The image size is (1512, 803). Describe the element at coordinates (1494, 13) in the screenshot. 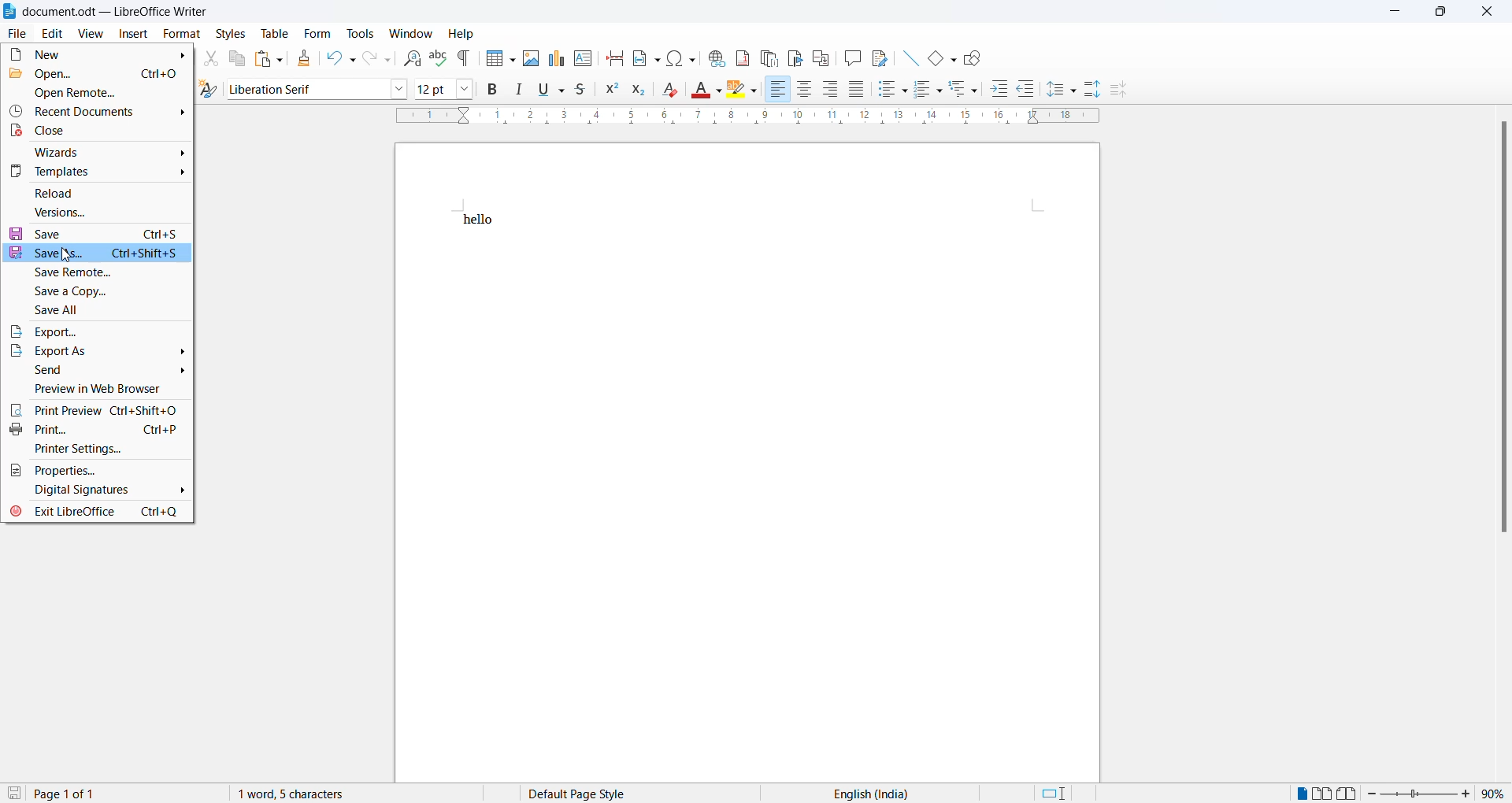

I see `close` at that location.